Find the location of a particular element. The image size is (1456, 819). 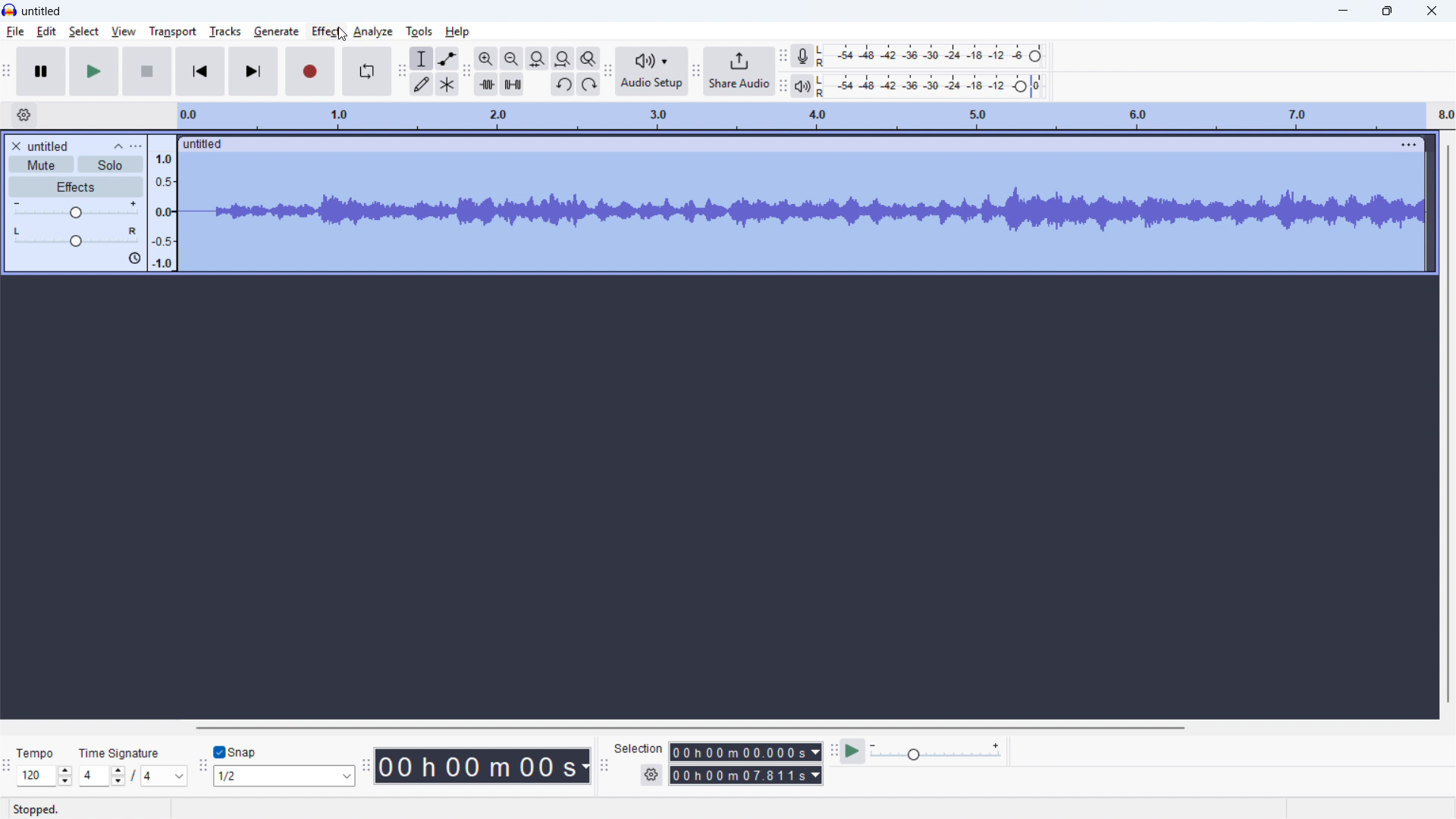

timeline is located at coordinates (814, 116).